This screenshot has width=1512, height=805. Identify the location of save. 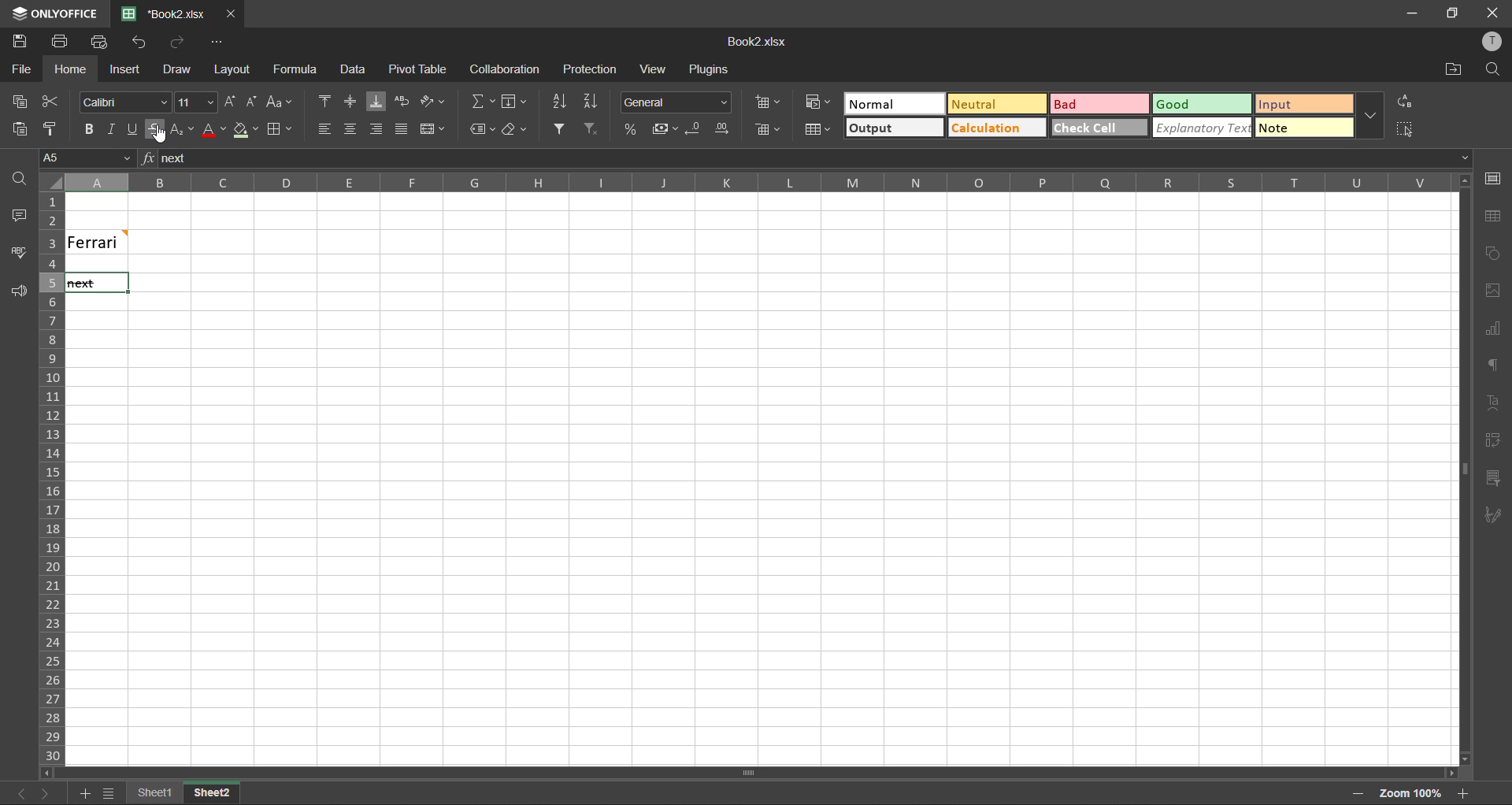
(19, 41).